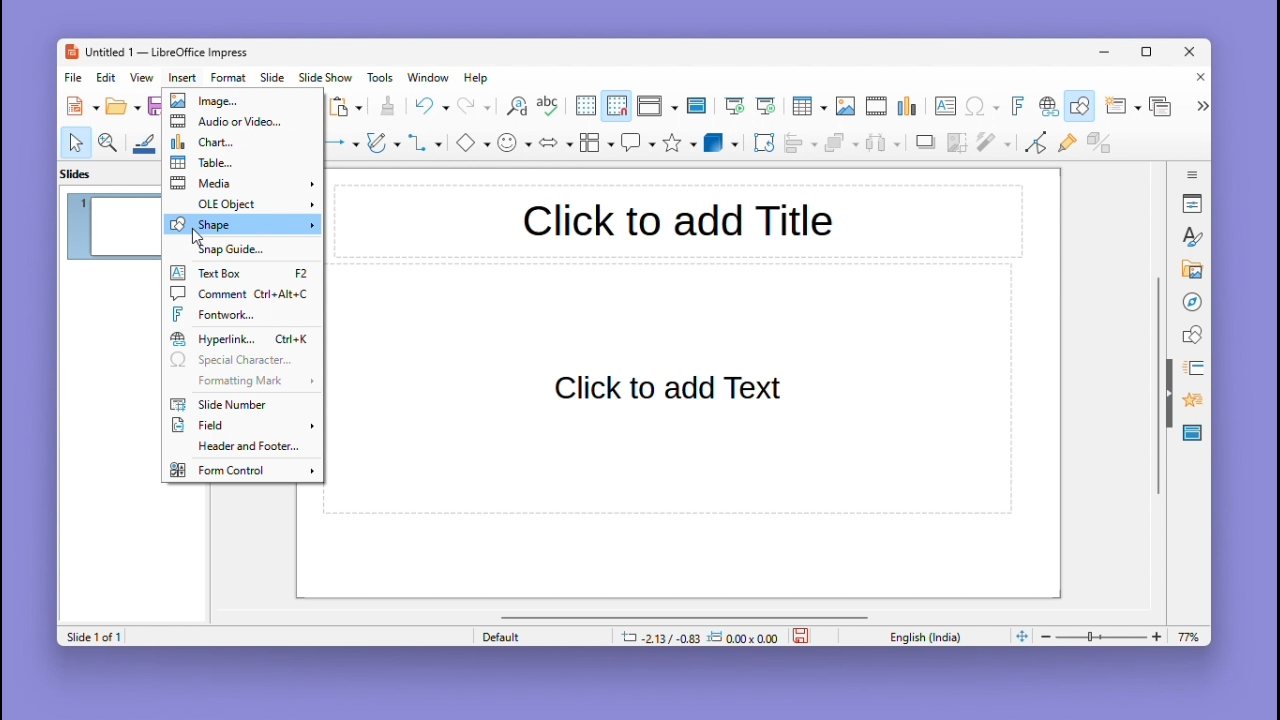  Describe the element at coordinates (240, 293) in the screenshot. I see `Comment` at that location.